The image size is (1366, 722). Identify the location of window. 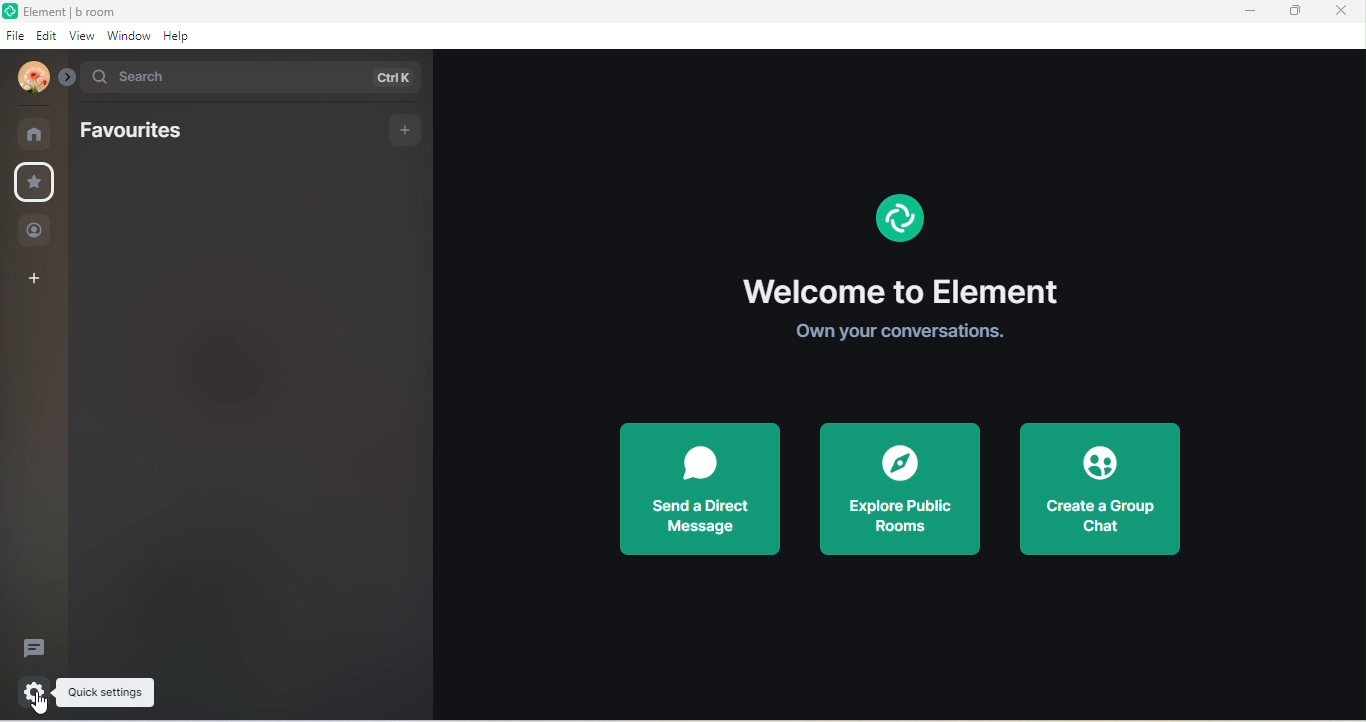
(128, 35).